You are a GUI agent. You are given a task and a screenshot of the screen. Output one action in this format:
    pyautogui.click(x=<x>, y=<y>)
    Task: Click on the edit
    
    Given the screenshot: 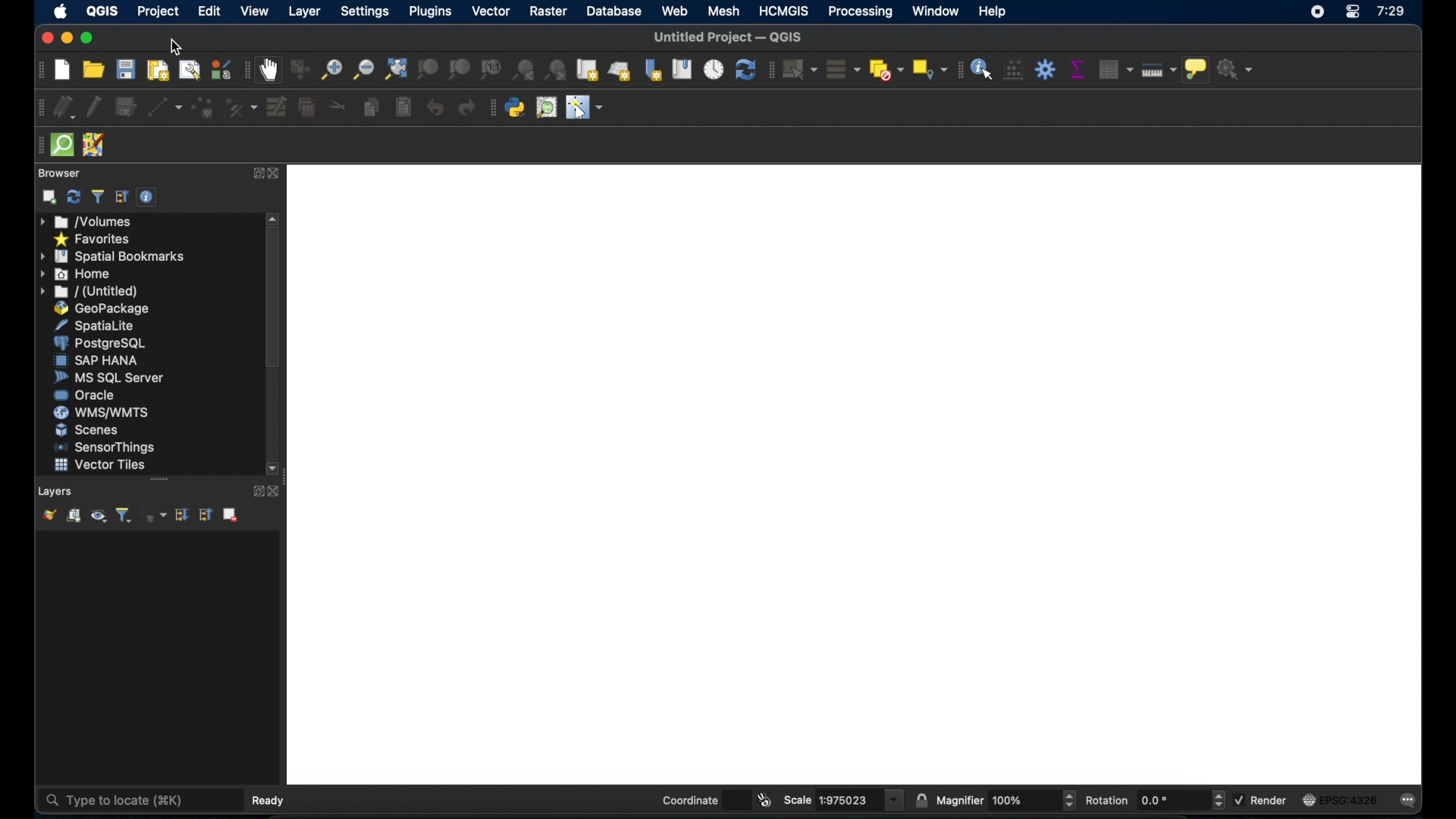 What is the action you would take?
    pyautogui.click(x=209, y=12)
    